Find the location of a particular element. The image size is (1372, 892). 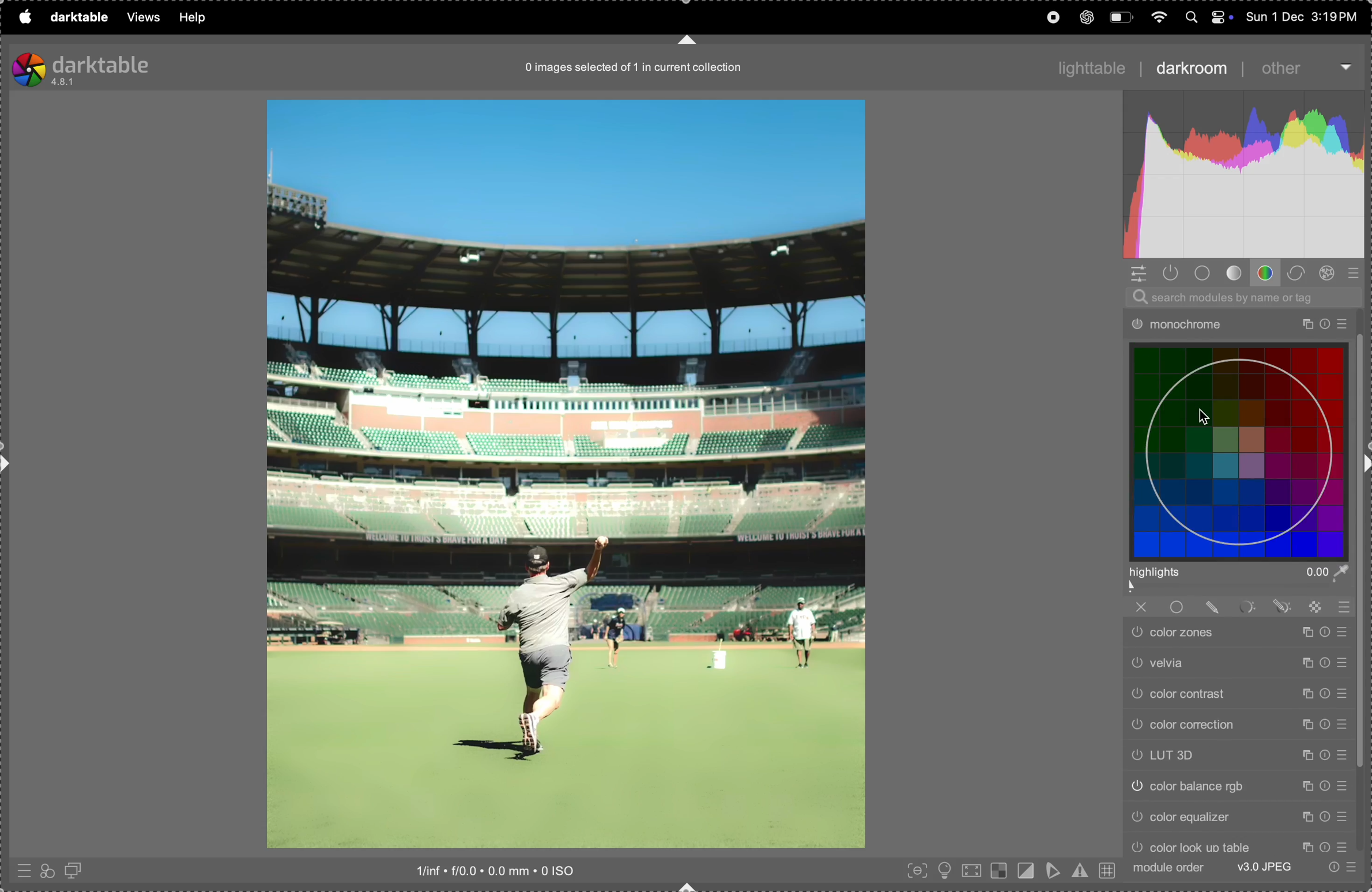

effect is located at coordinates (1328, 273).